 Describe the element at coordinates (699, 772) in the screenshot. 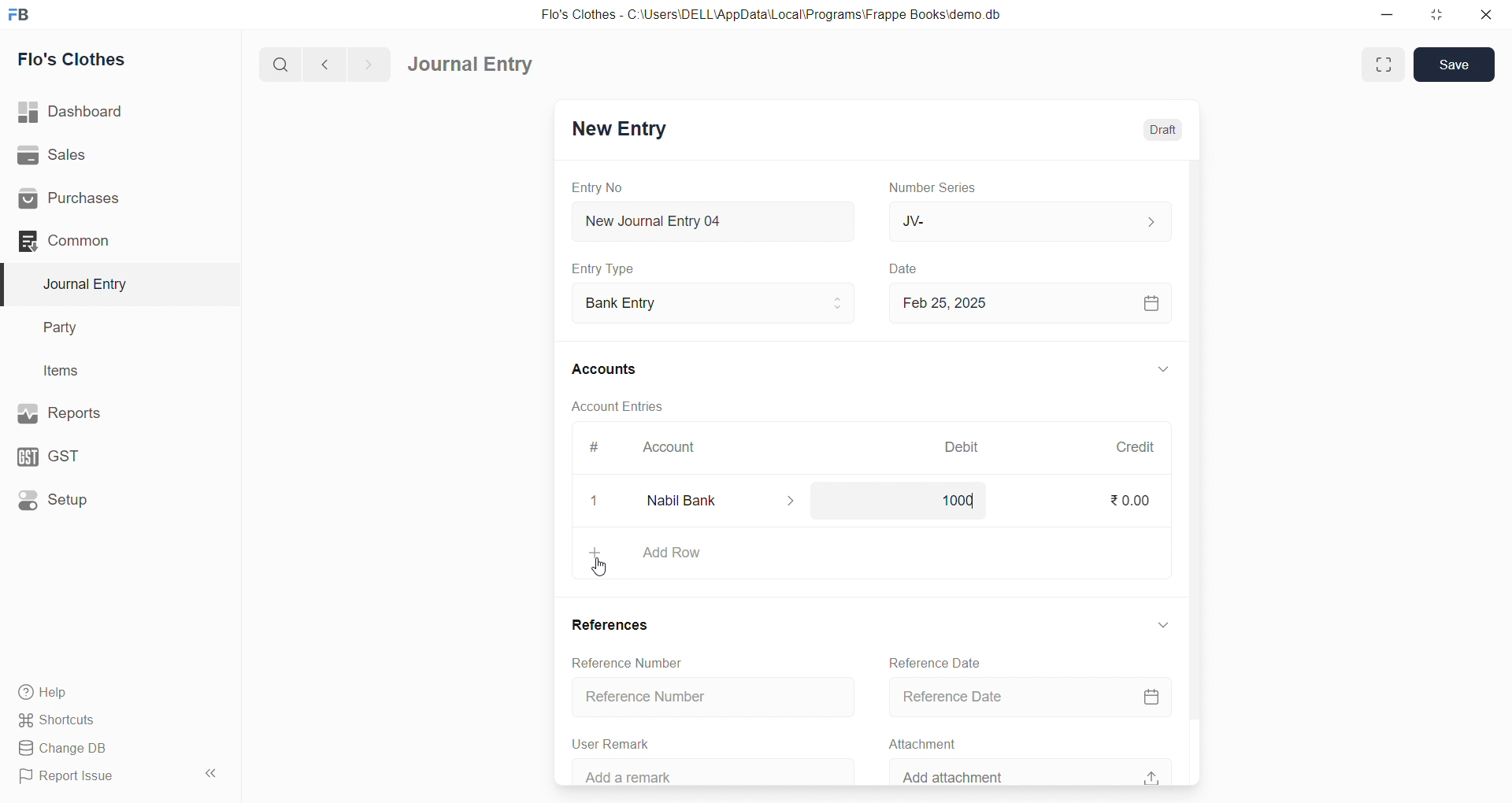

I see `Add a remark` at that location.